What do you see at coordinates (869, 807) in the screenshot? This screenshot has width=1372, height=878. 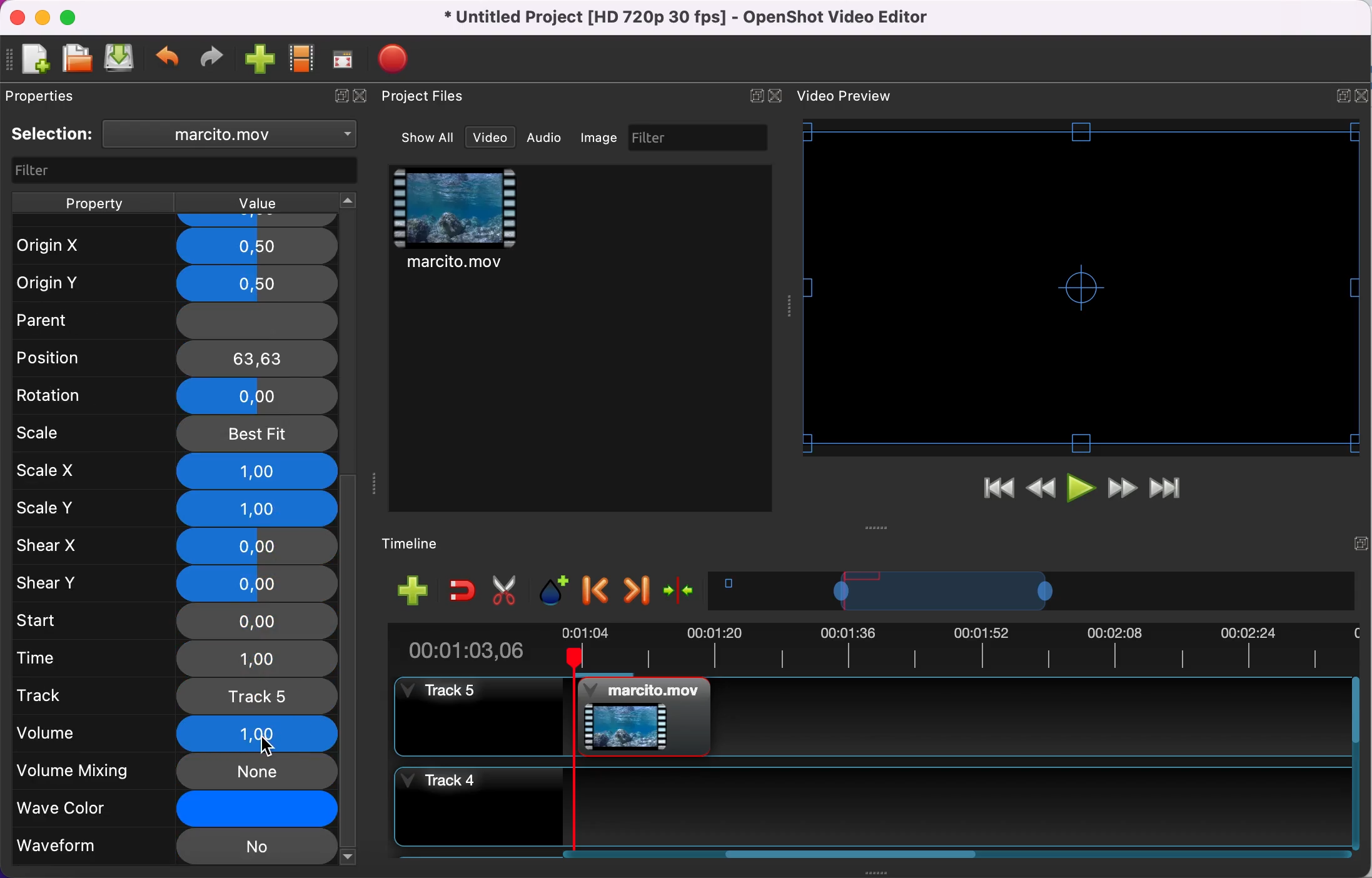 I see `track 4` at bounding box center [869, 807].